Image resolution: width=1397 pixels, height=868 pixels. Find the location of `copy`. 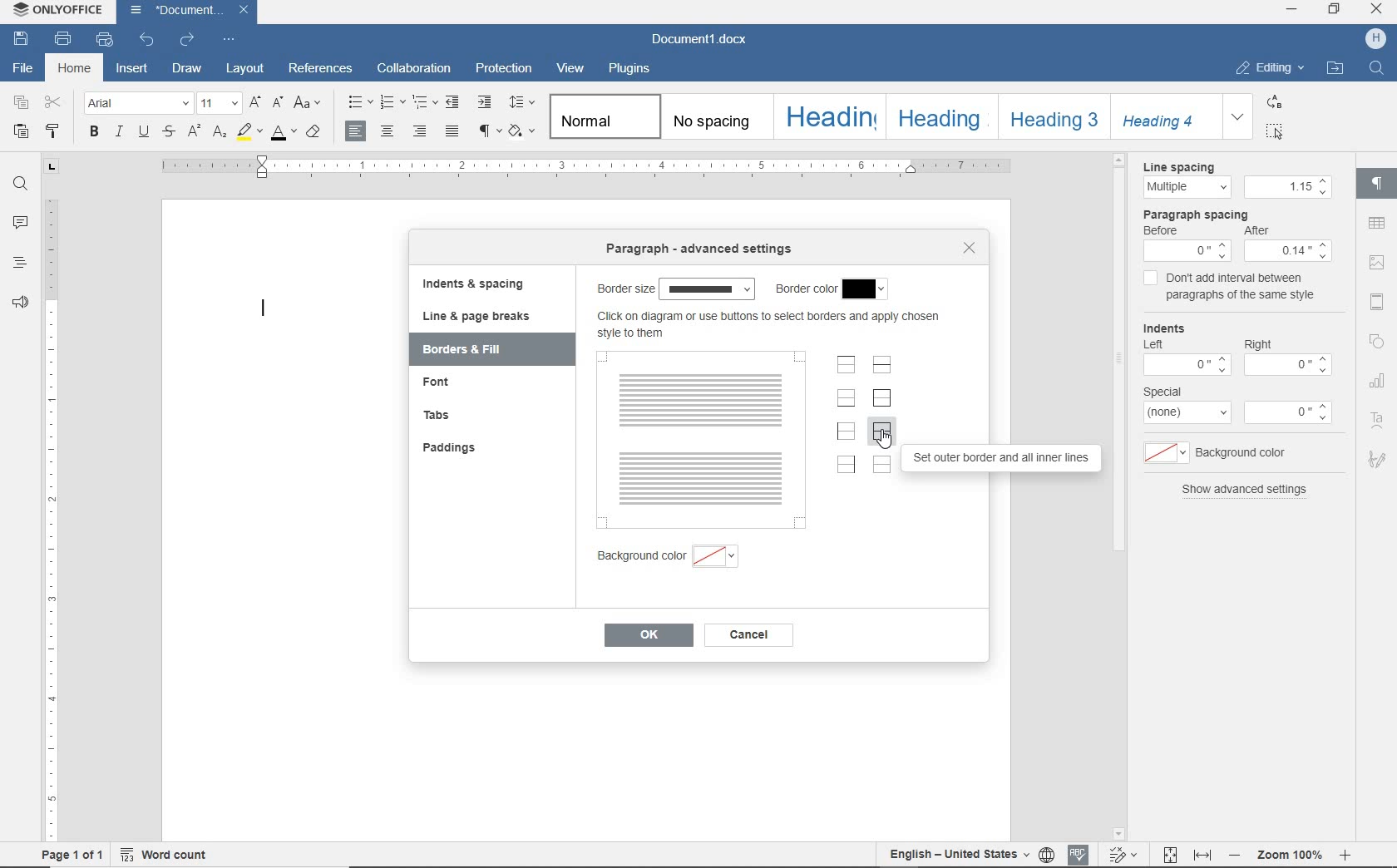

copy is located at coordinates (21, 105).